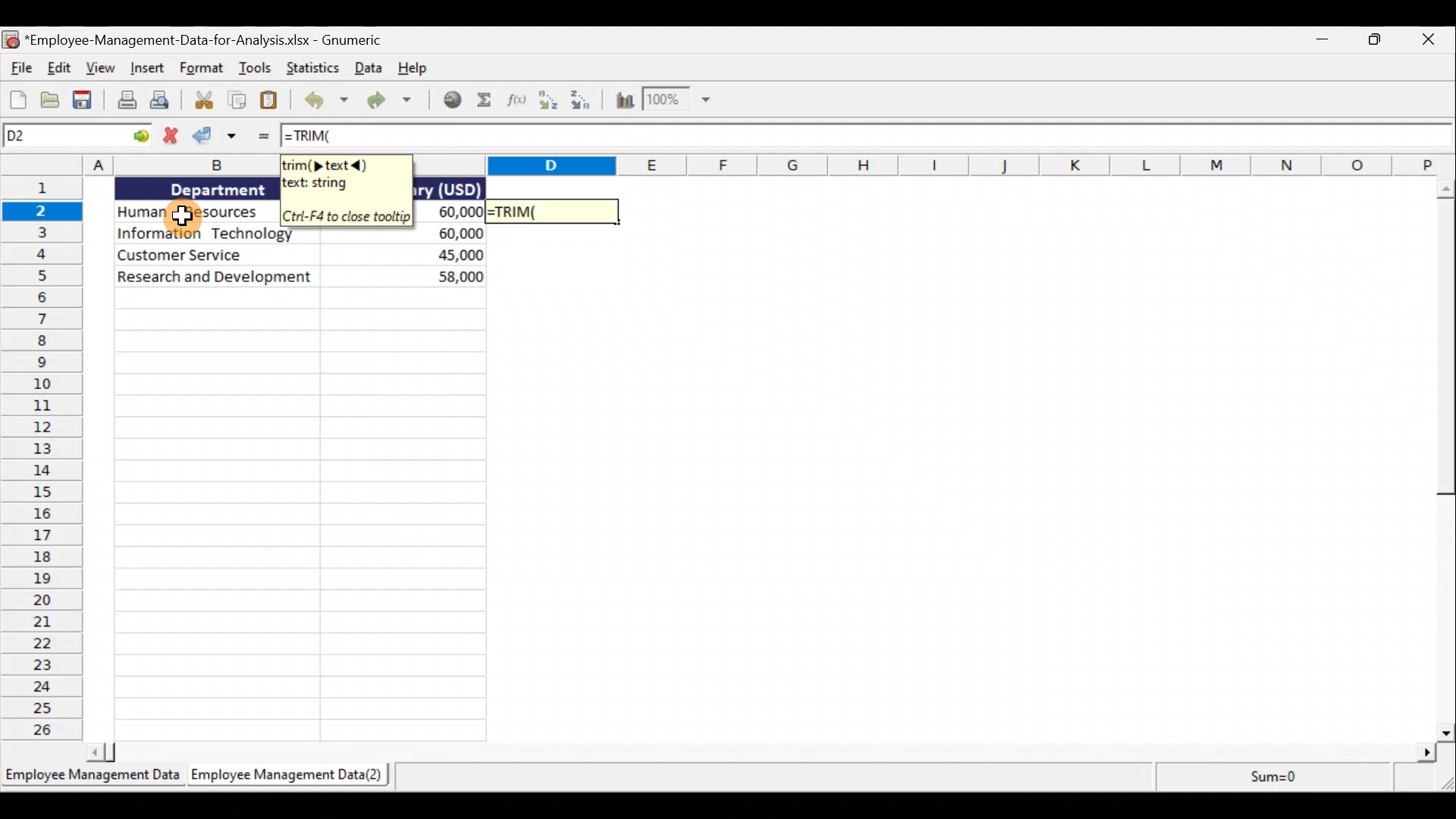 The image size is (1456, 819). Describe the element at coordinates (412, 69) in the screenshot. I see `Help` at that location.